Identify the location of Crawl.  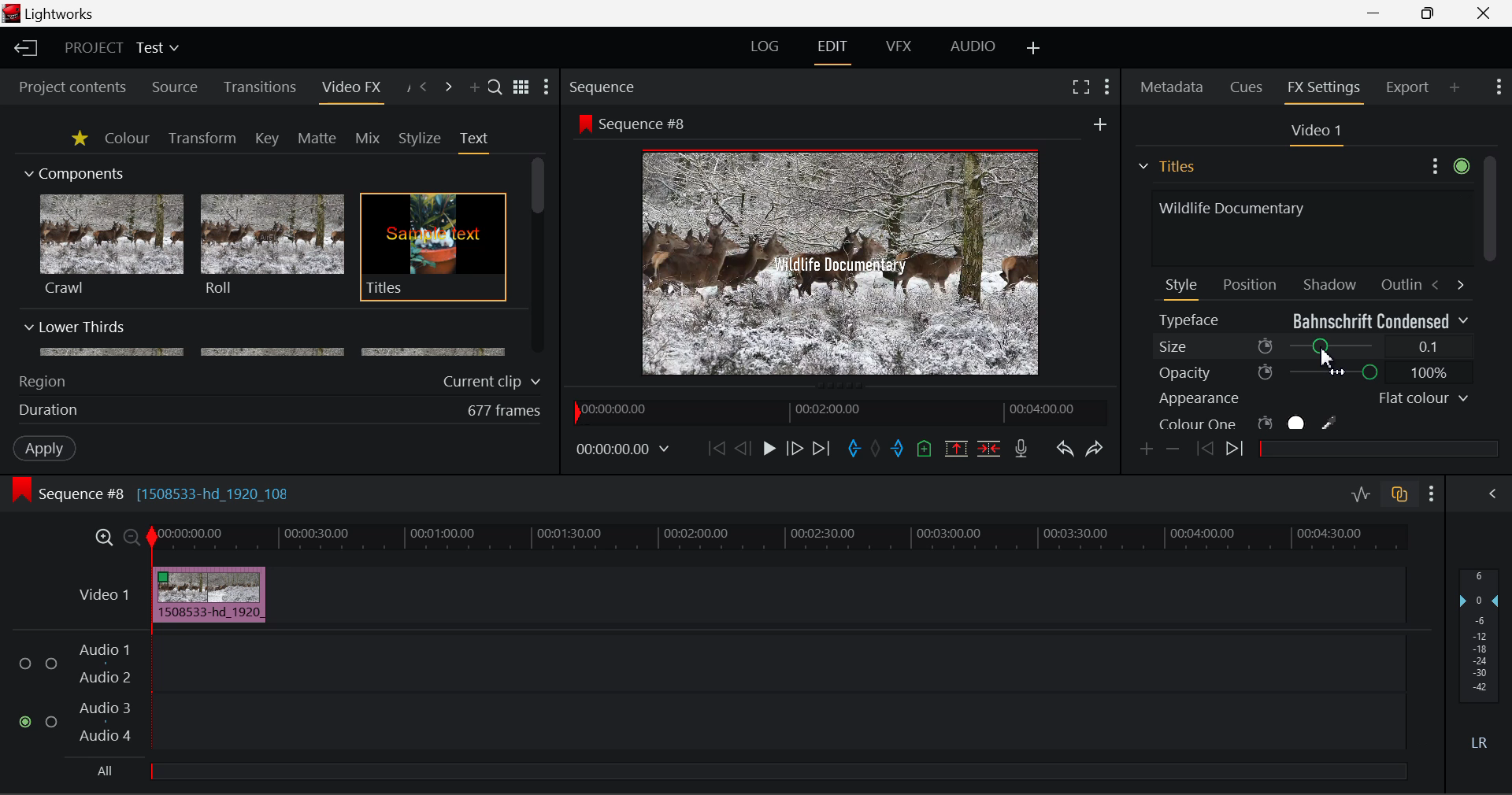
(112, 245).